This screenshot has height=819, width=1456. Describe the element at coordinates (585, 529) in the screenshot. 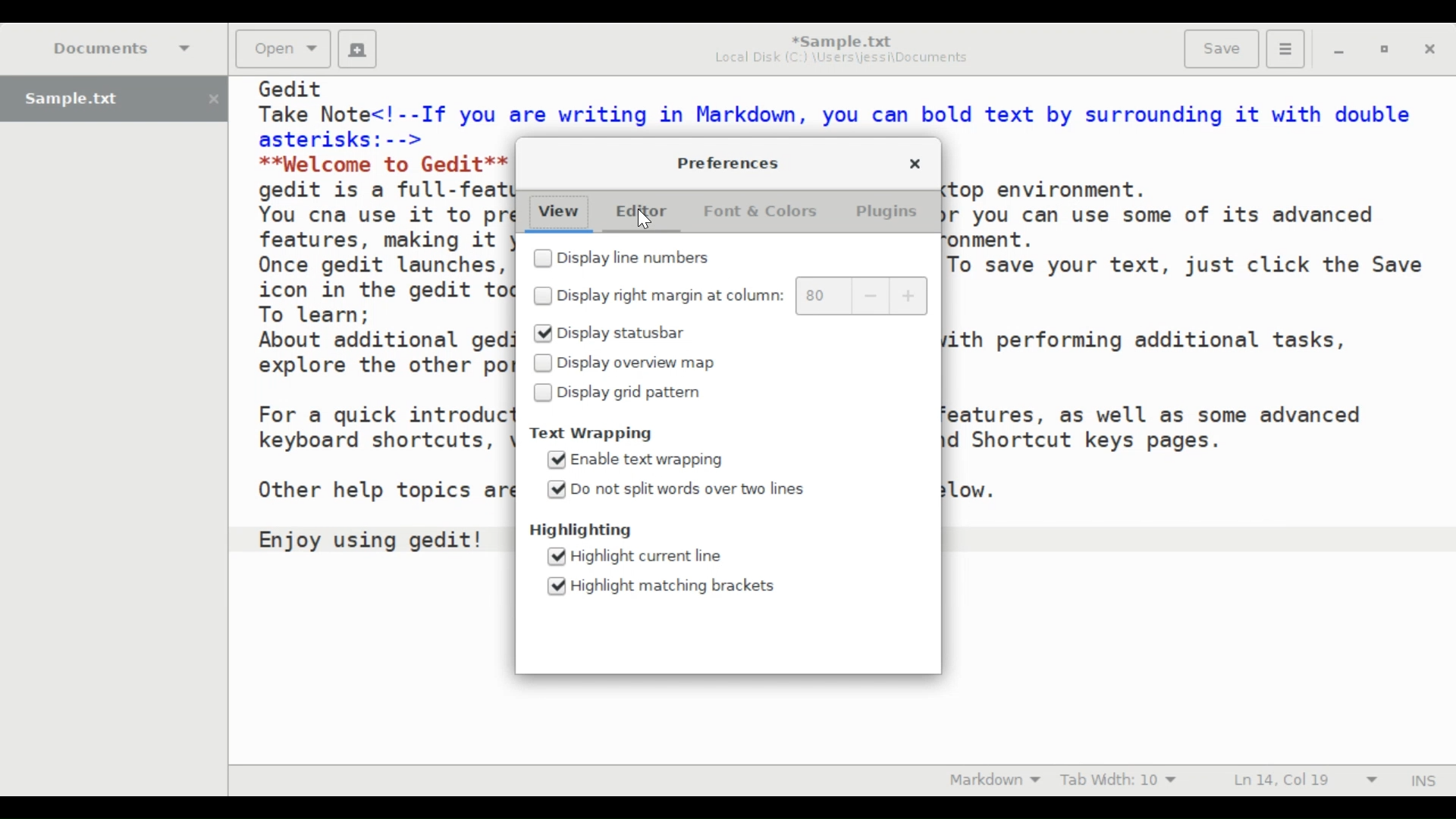

I see `Highlighting` at that location.